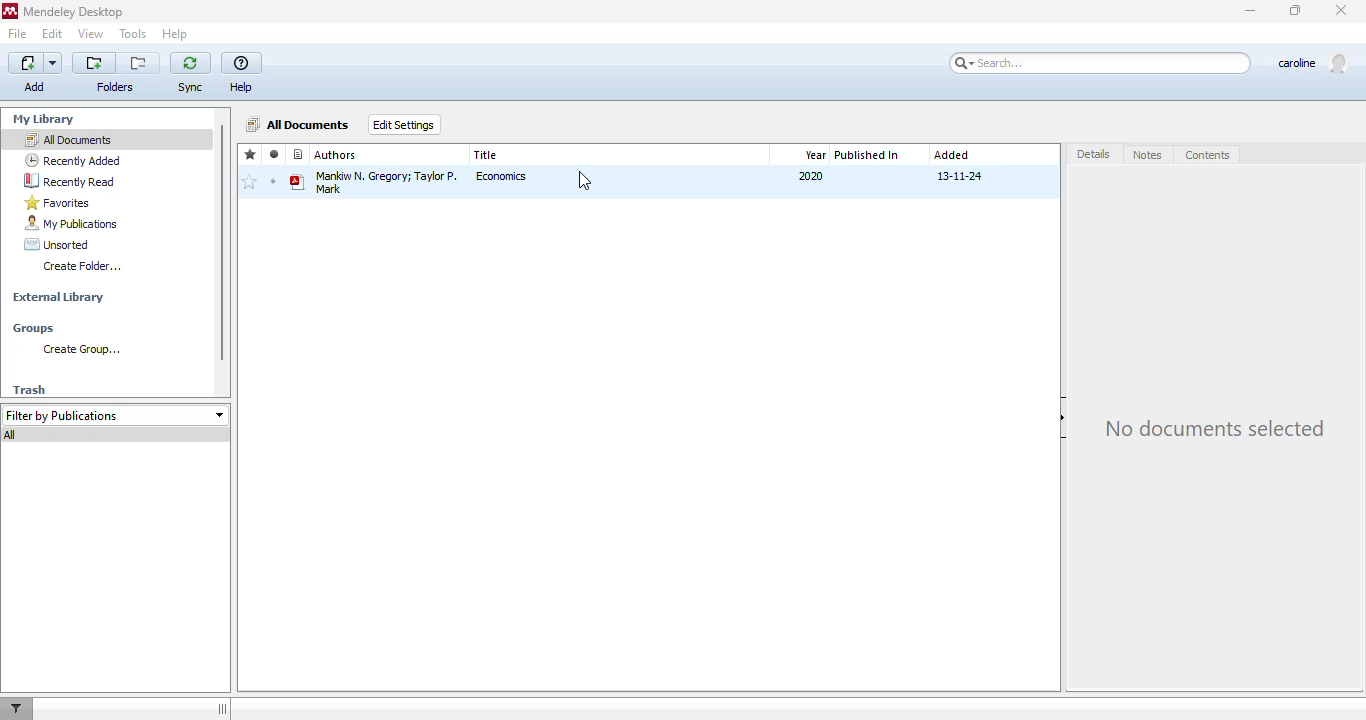  What do you see at coordinates (1149, 155) in the screenshot?
I see `notes` at bounding box center [1149, 155].